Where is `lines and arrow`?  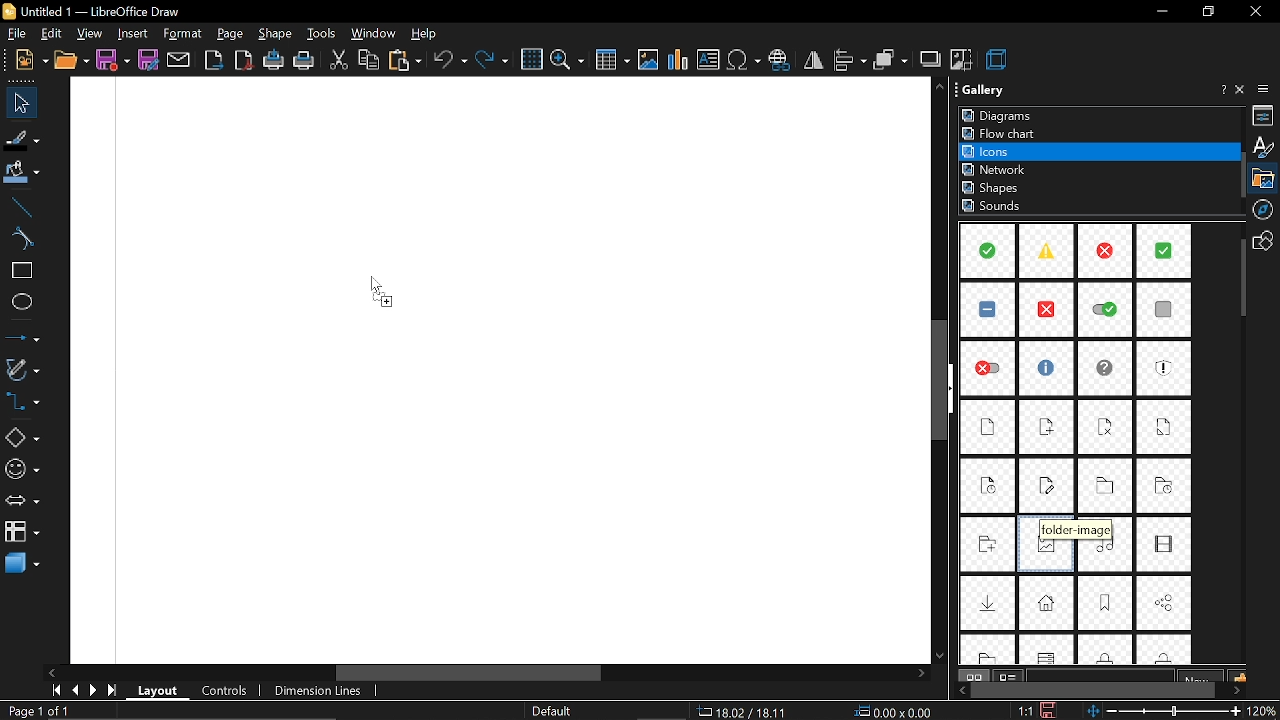
lines and arrow is located at coordinates (20, 339).